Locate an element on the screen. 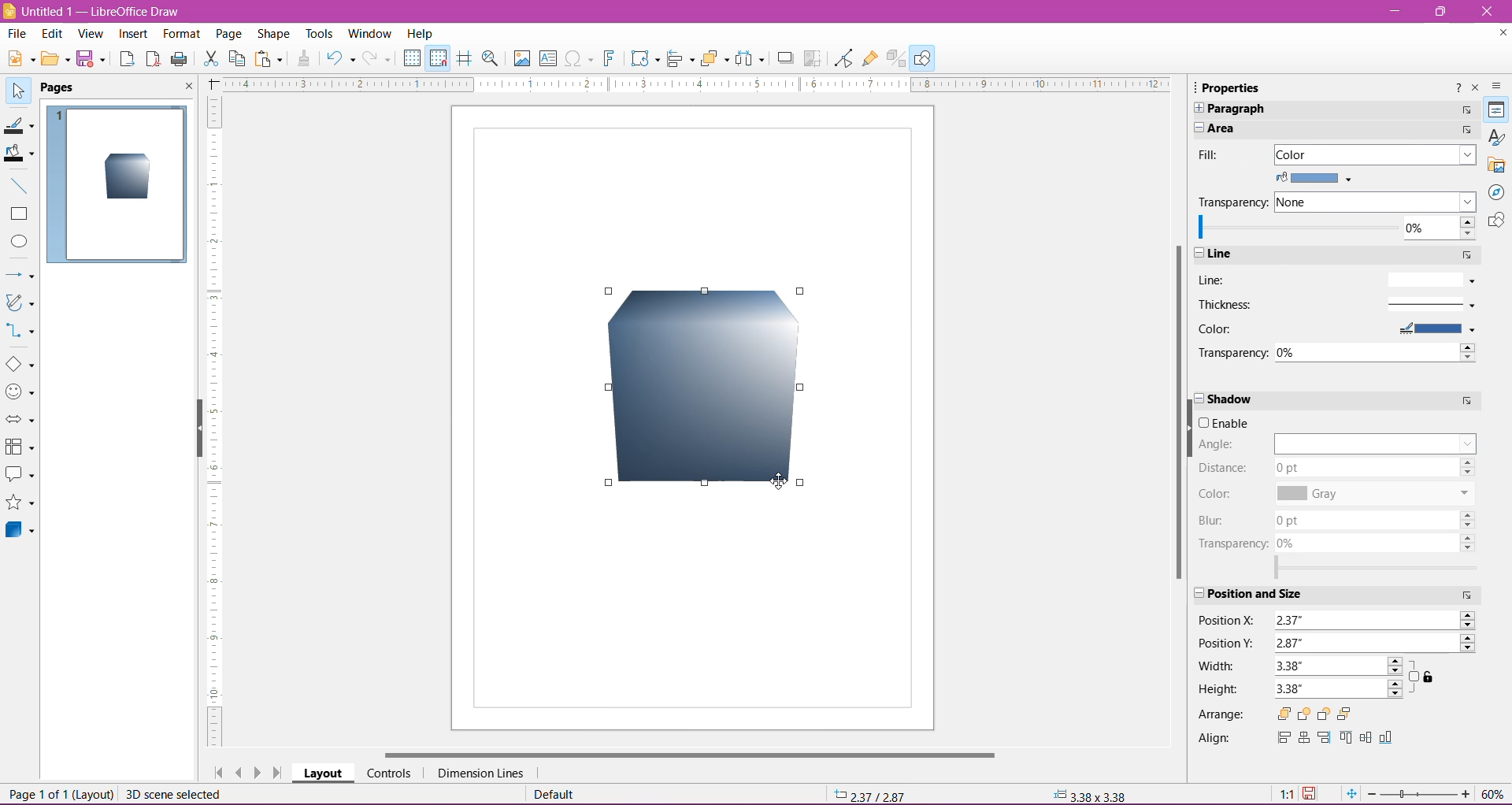 The height and width of the screenshot is (805, 1512). Save is located at coordinates (91, 60).